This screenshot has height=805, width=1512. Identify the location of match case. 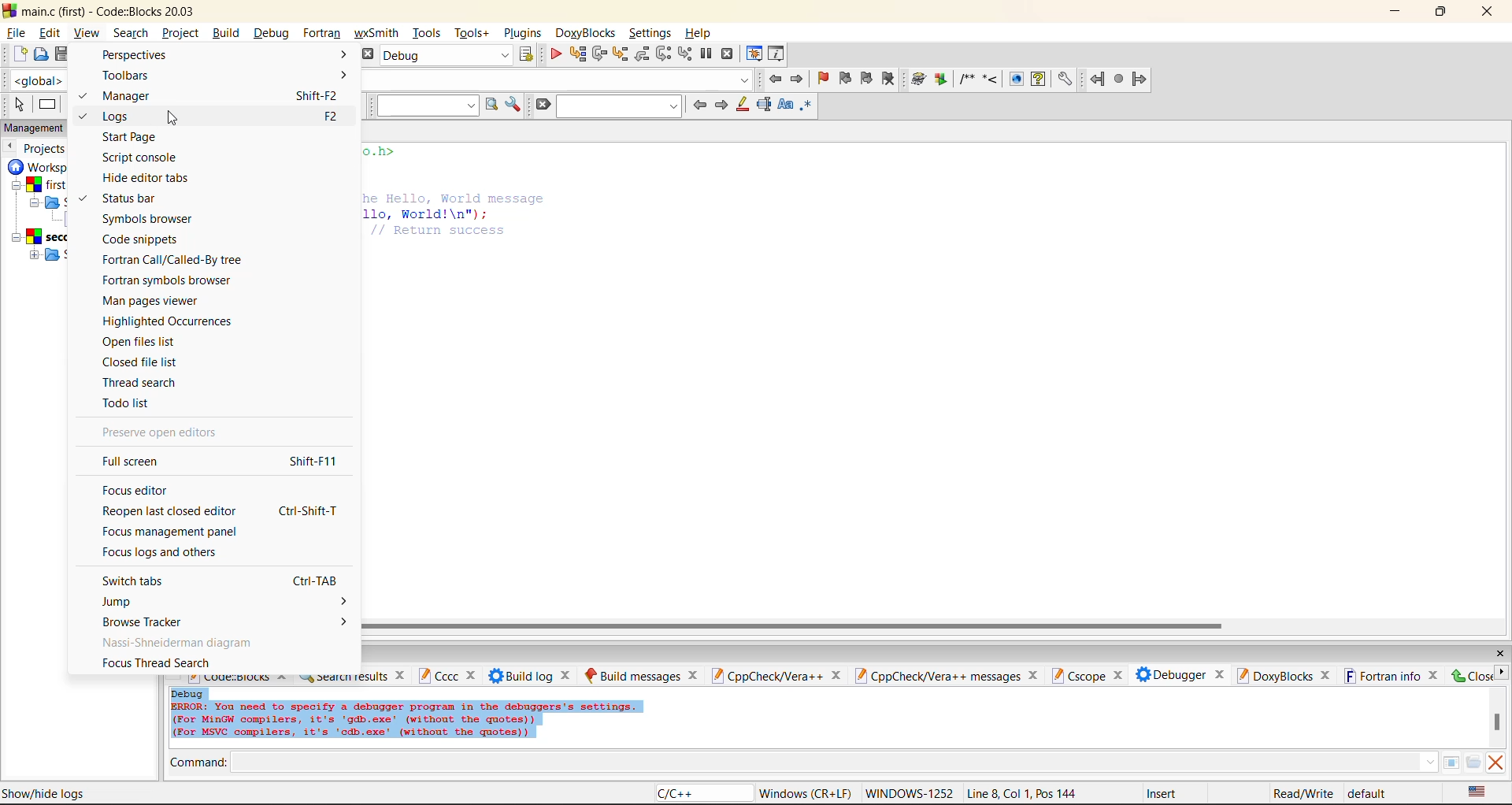
(787, 106).